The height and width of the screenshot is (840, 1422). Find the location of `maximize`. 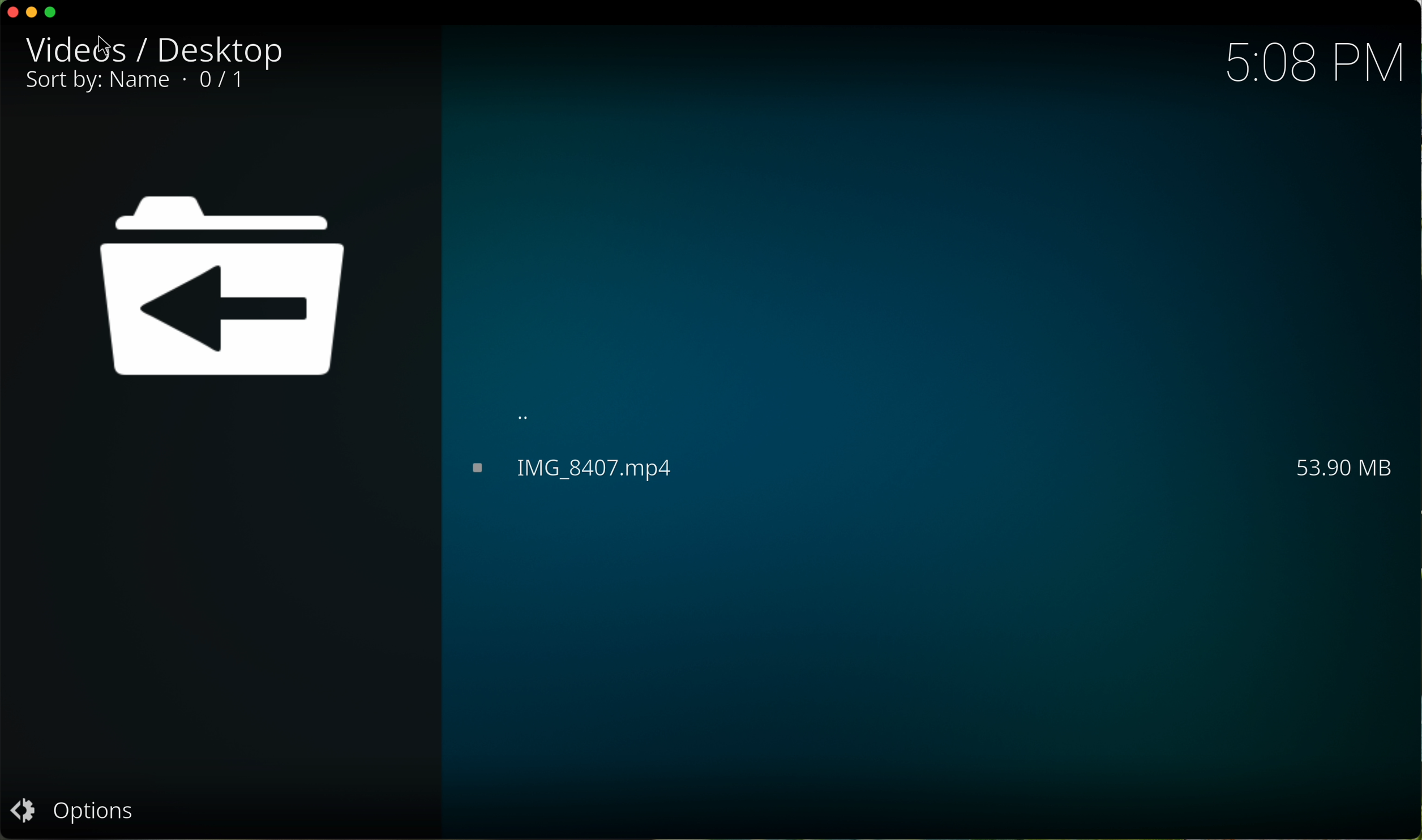

maximize is located at coordinates (52, 12).